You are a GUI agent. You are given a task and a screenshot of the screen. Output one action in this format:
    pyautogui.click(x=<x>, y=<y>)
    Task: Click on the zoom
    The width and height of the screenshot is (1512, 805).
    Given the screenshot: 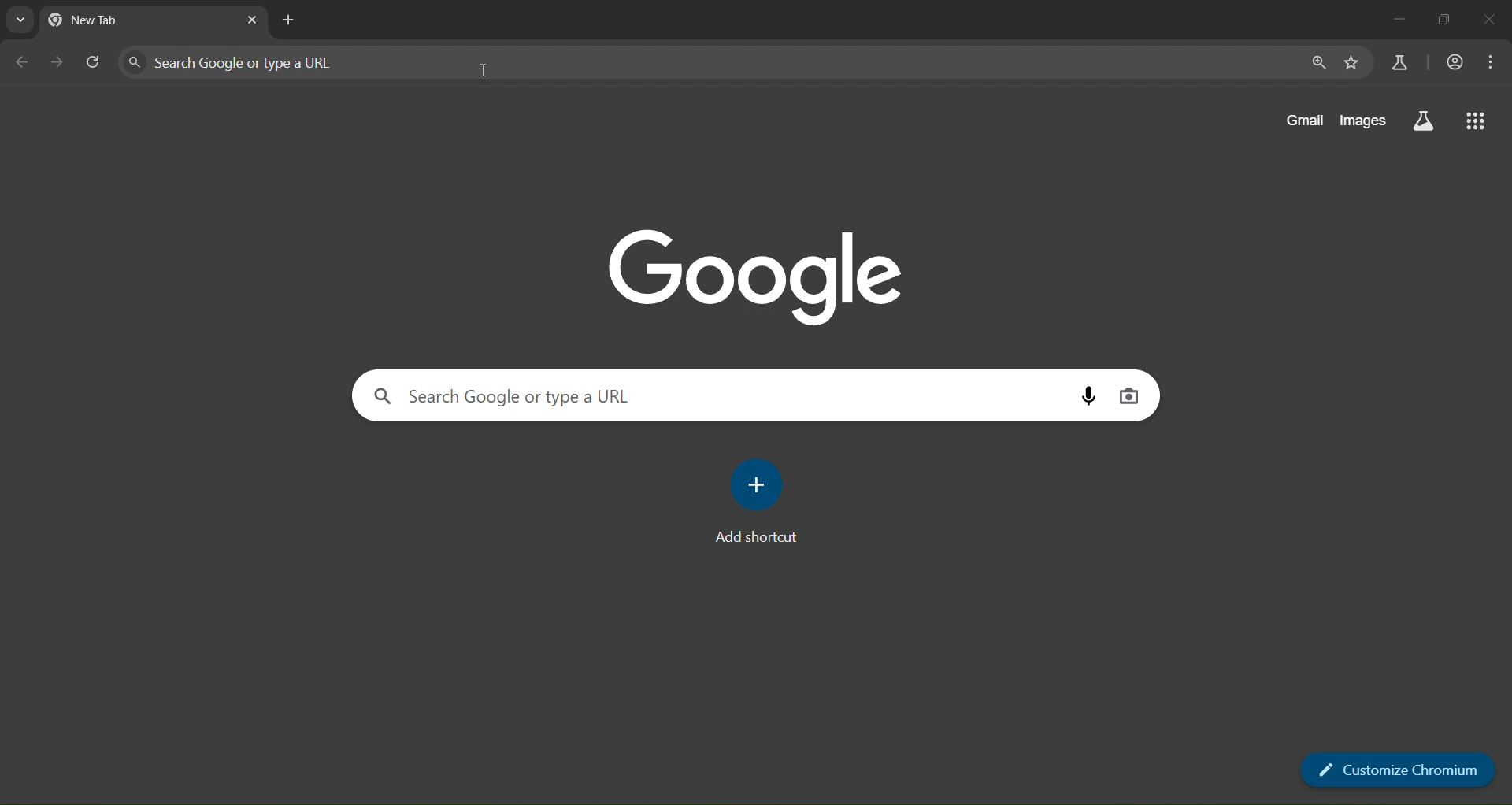 What is the action you would take?
    pyautogui.click(x=1318, y=61)
    